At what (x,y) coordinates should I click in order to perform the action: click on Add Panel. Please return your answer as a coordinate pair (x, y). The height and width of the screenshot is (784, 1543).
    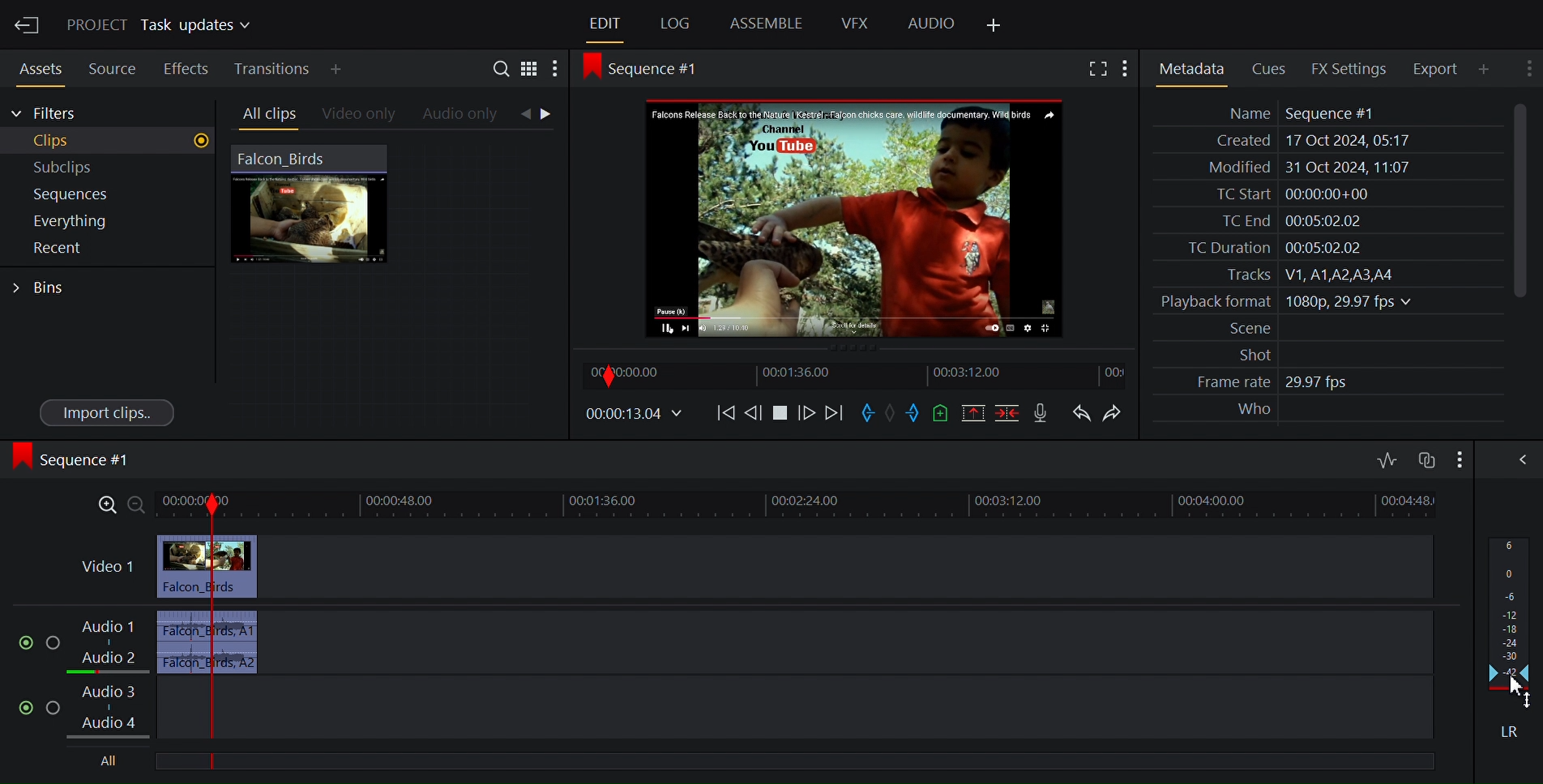
    Looking at the image, I should click on (336, 68).